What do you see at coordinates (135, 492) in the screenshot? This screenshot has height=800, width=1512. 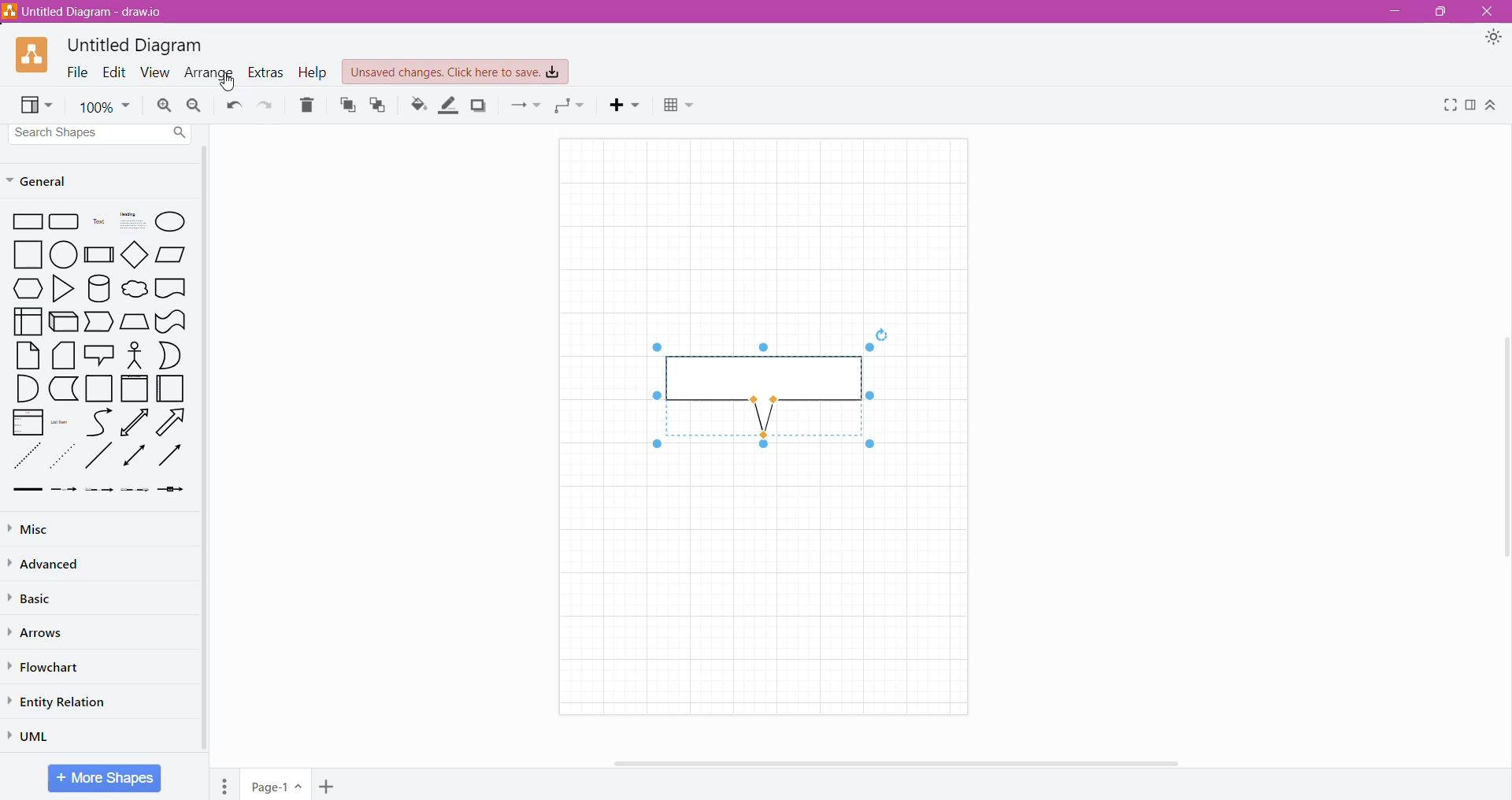 I see `Dotted Arrow ` at bounding box center [135, 492].